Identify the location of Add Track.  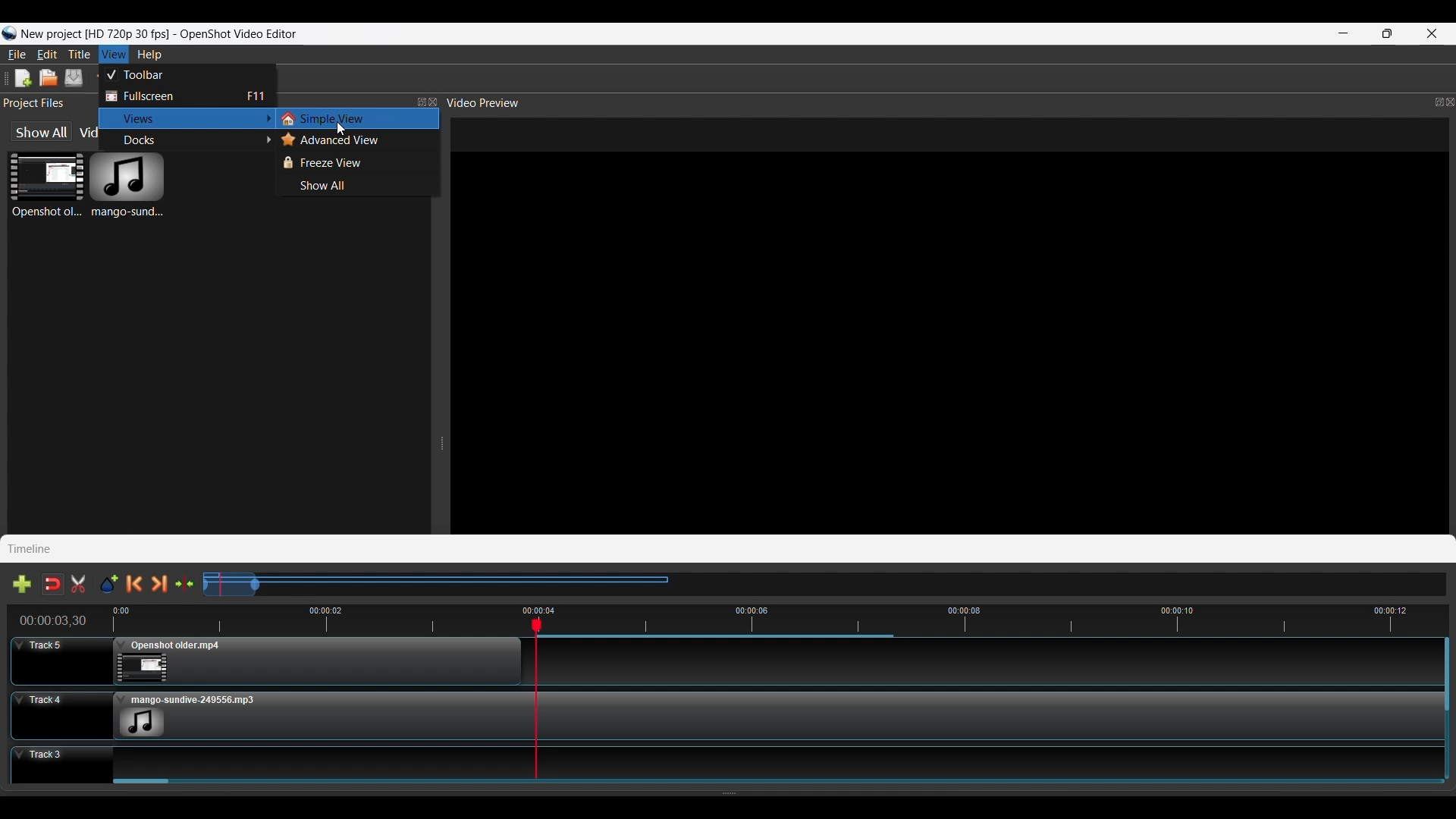
(22, 584).